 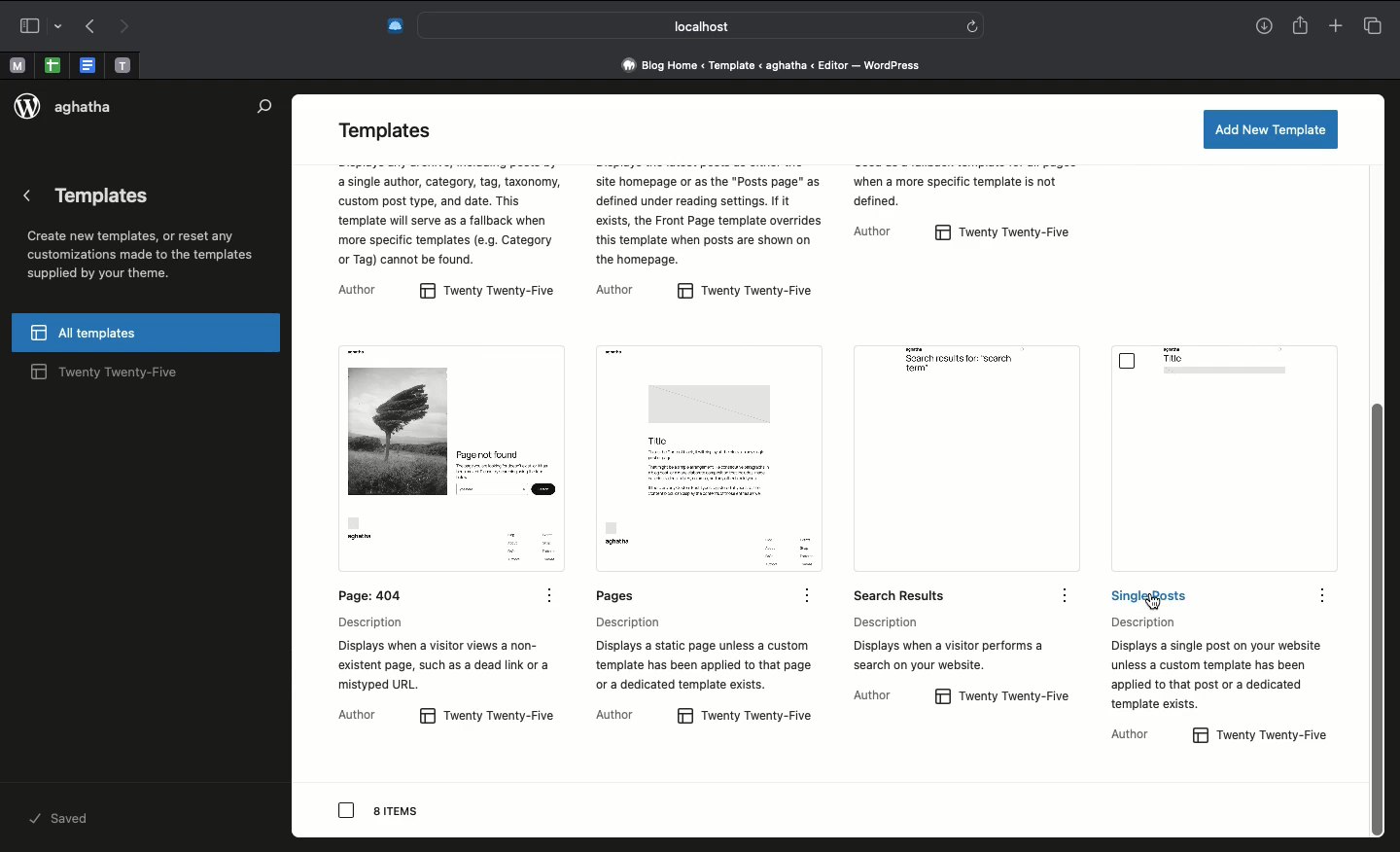 What do you see at coordinates (750, 715) in the screenshot?
I see `twenty twenty-five` at bounding box center [750, 715].